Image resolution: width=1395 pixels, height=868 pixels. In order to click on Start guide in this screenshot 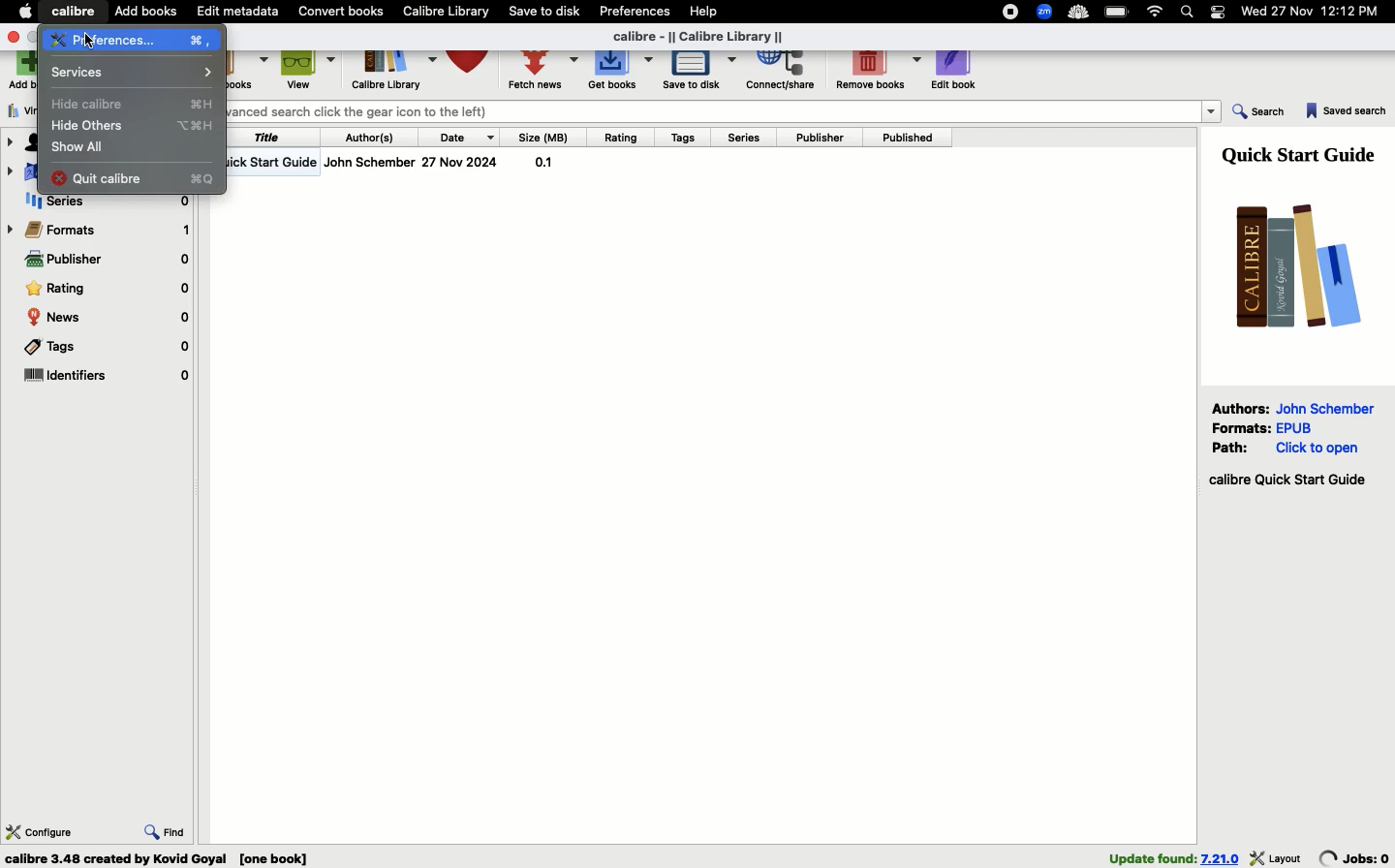, I will do `click(1286, 480)`.